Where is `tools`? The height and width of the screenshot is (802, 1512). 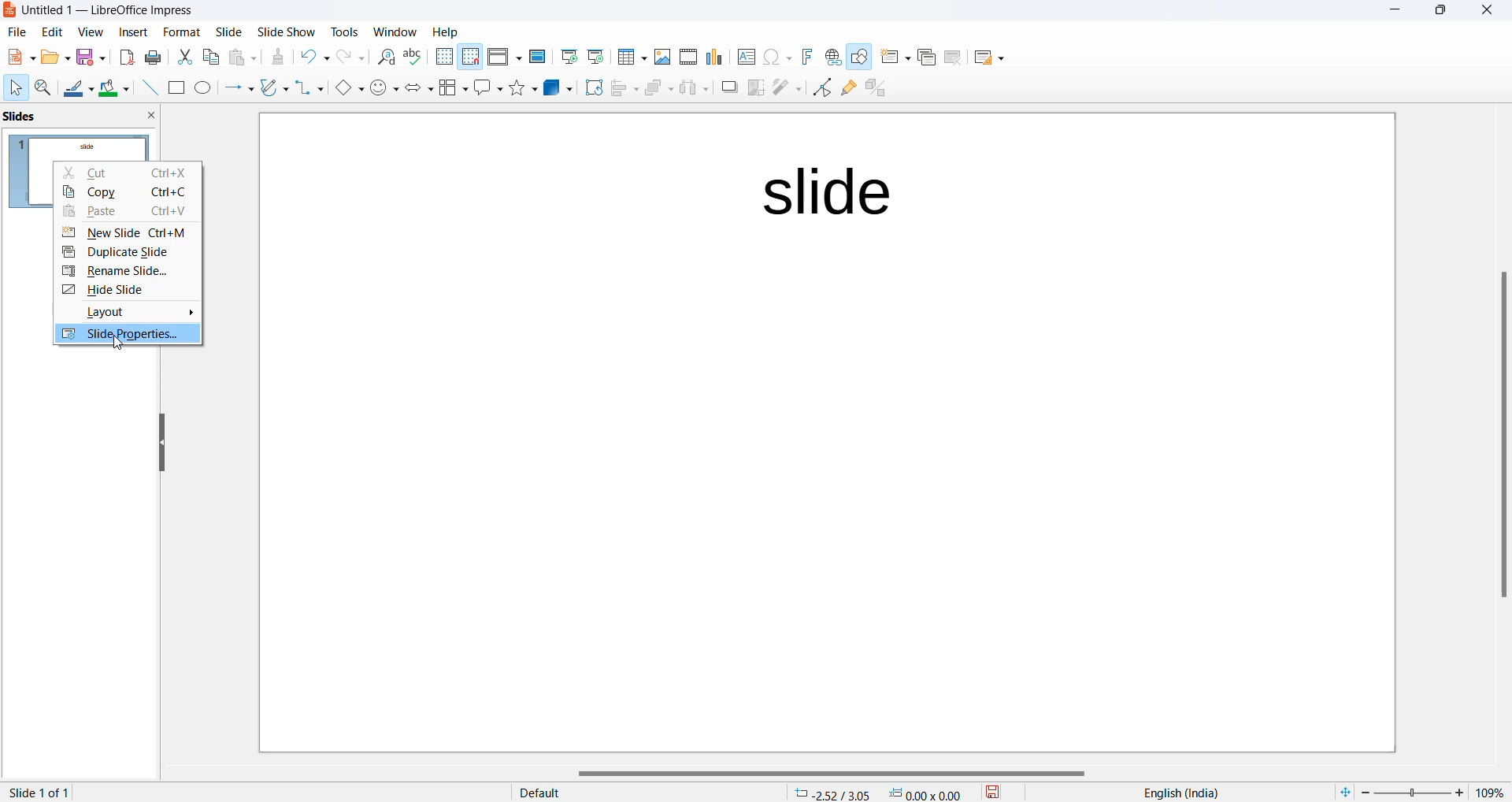 tools is located at coordinates (346, 31).